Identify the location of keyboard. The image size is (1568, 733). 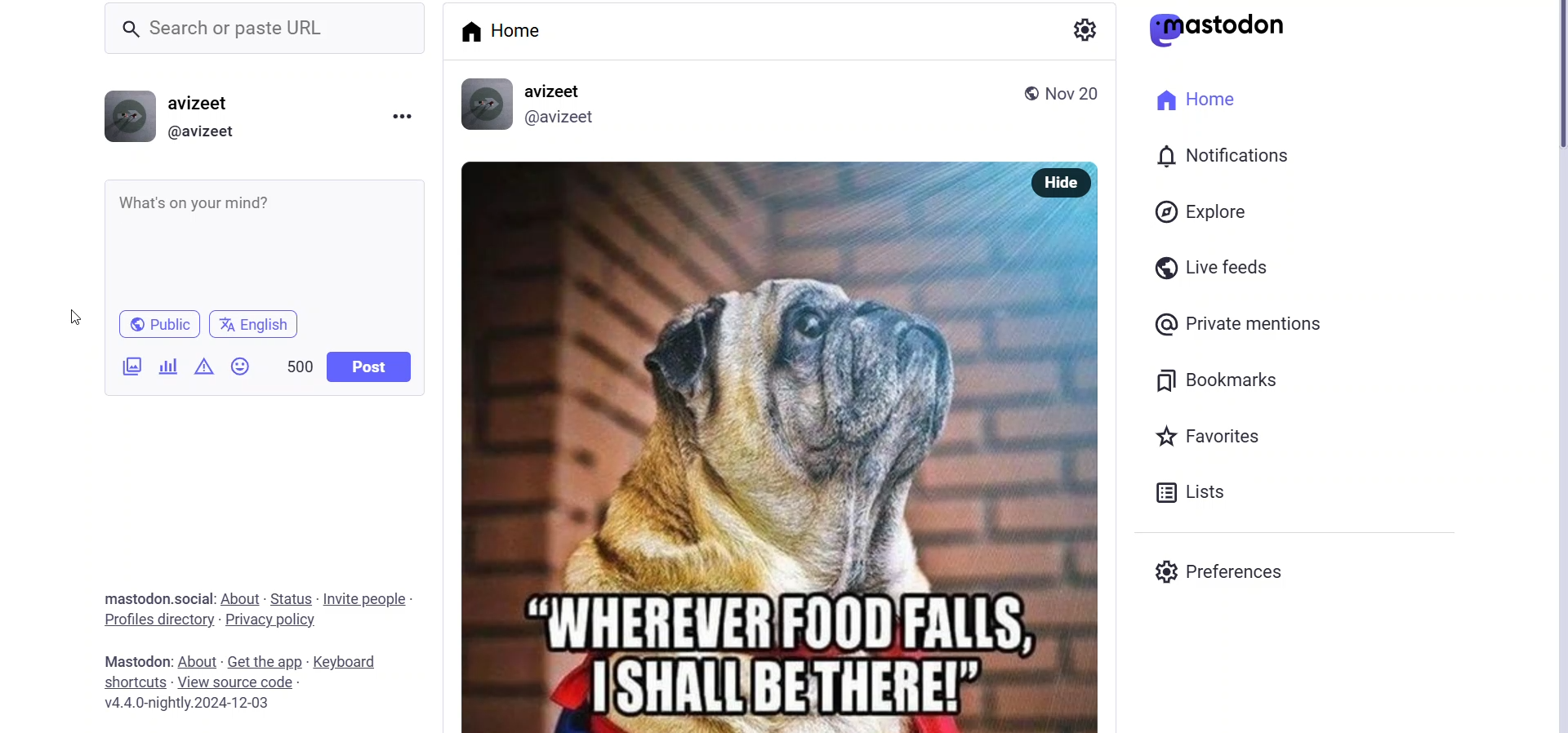
(346, 662).